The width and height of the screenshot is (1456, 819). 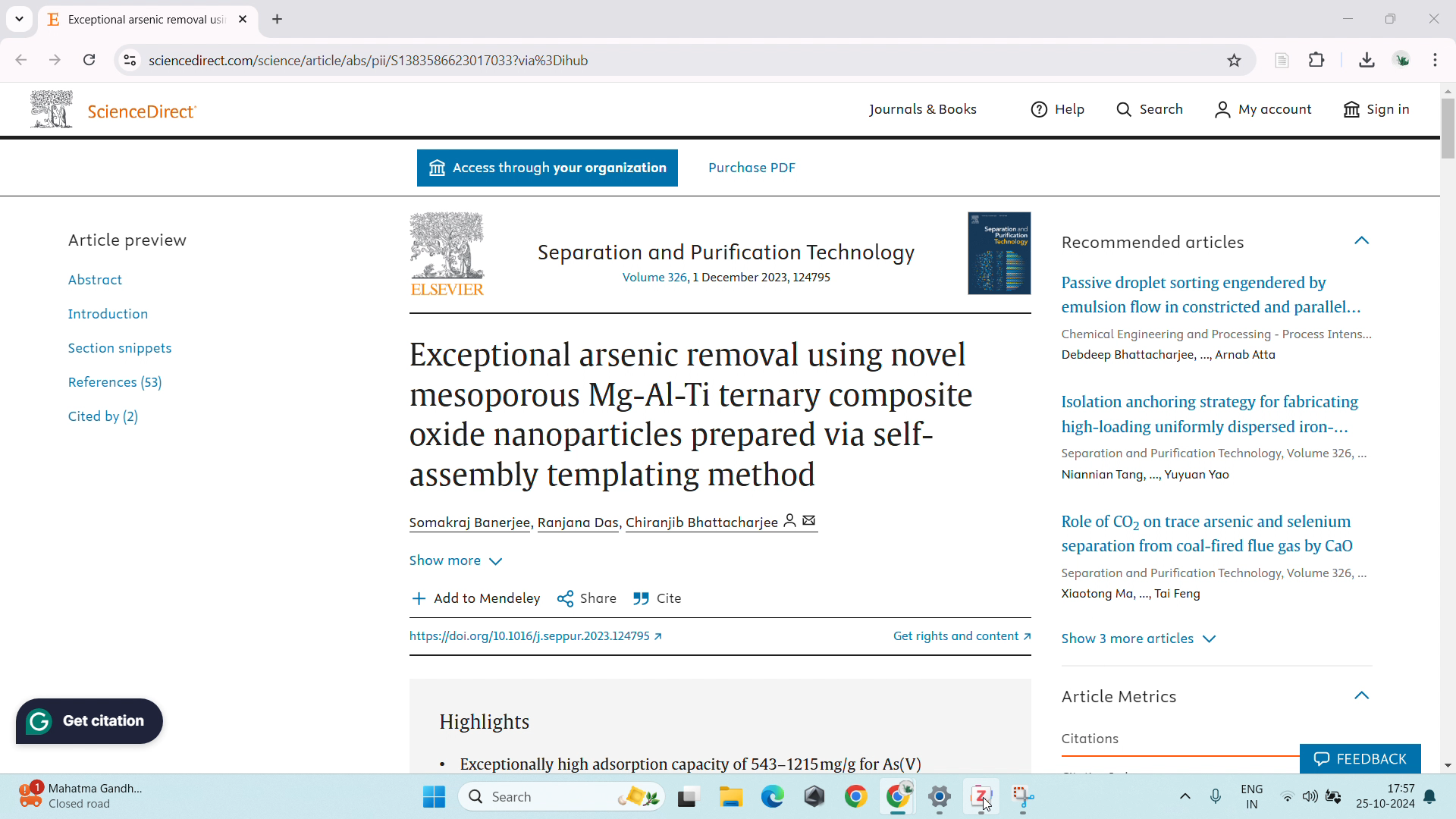 What do you see at coordinates (55, 60) in the screenshot?
I see `click to go forward, hold to see history` at bounding box center [55, 60].